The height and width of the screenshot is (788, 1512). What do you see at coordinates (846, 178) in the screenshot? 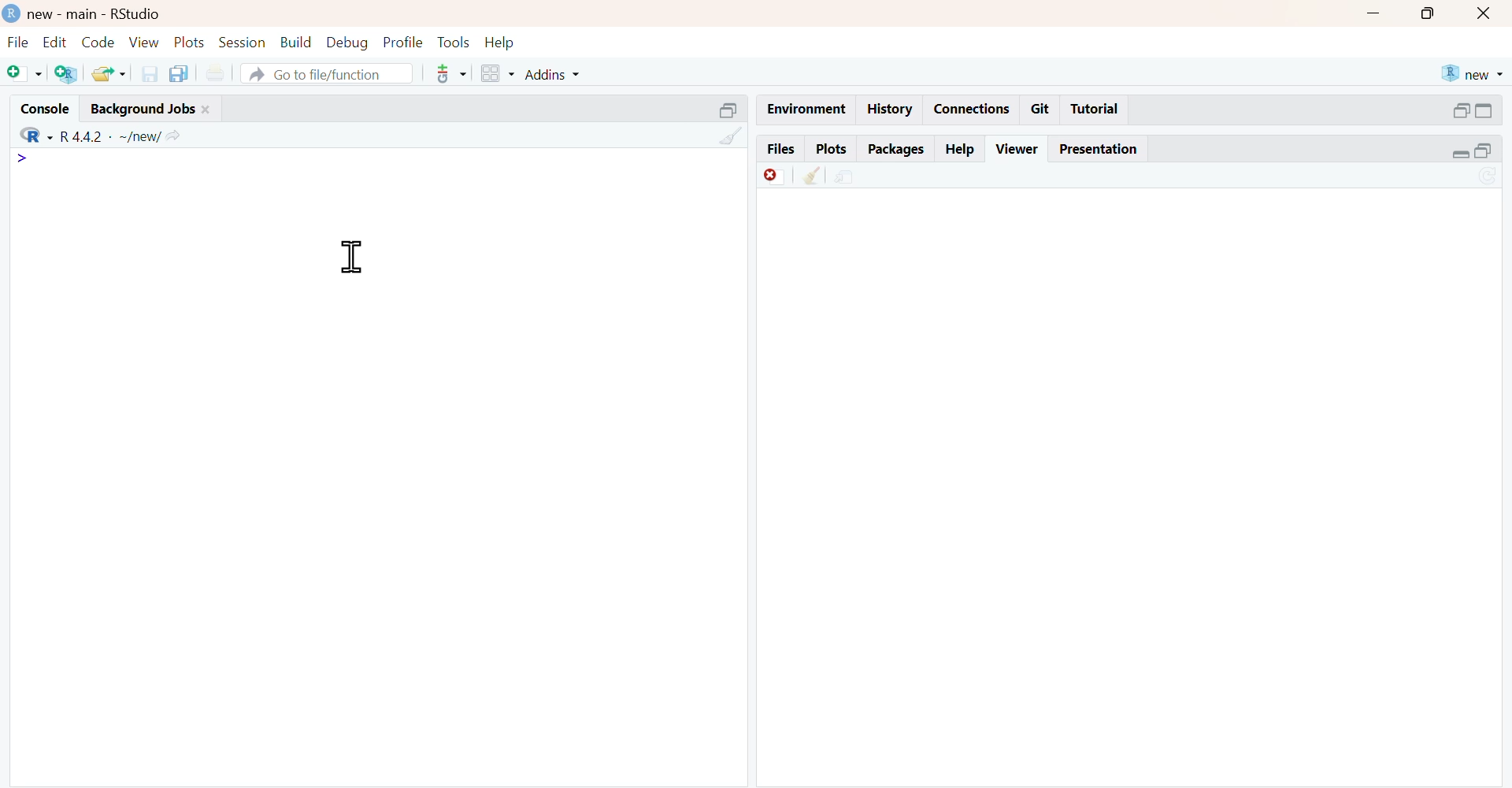
I see `share` at bounding box center [846, 178].